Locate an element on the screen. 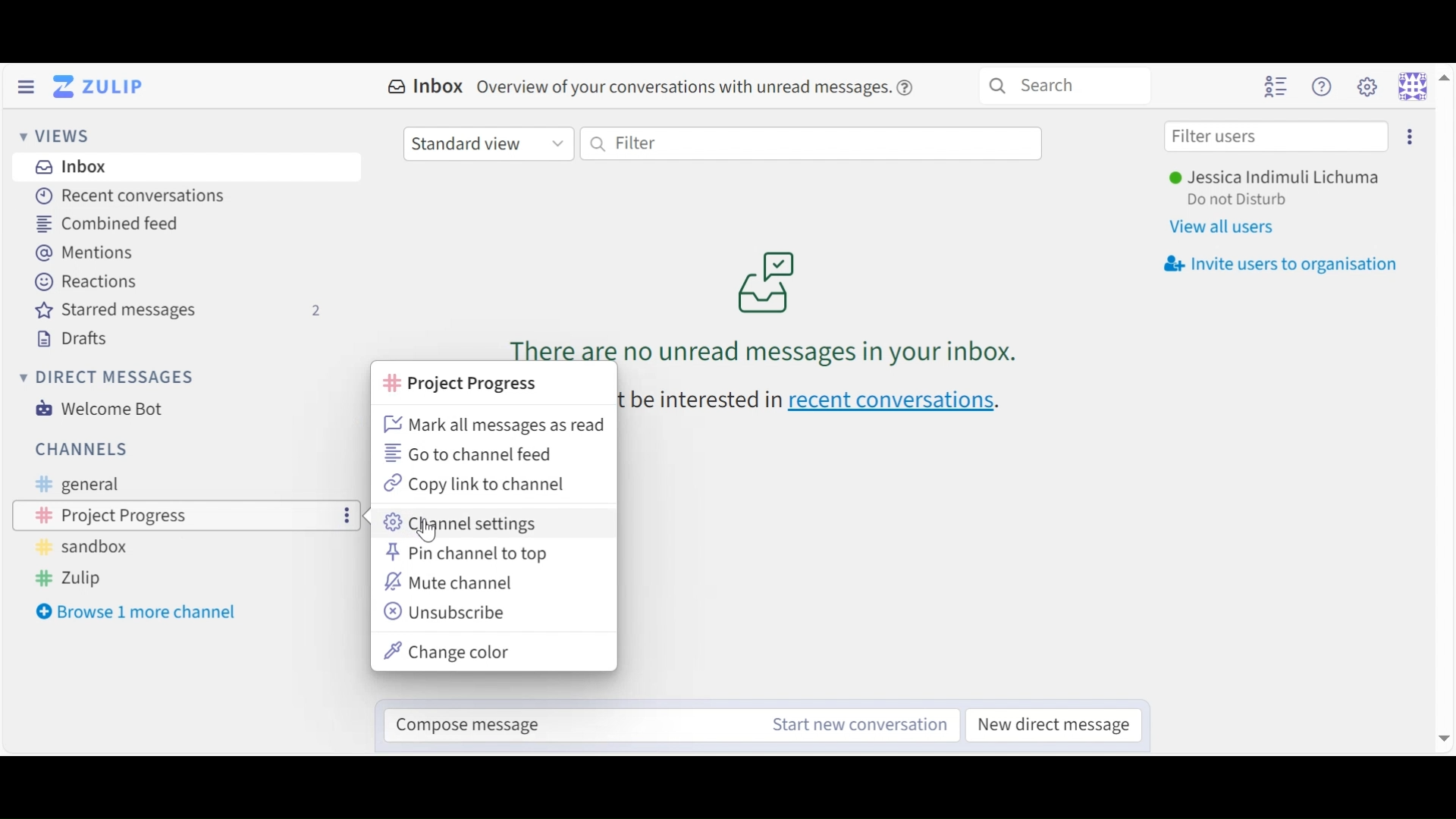  Copy link to channel is located at coordinates (479, 484).